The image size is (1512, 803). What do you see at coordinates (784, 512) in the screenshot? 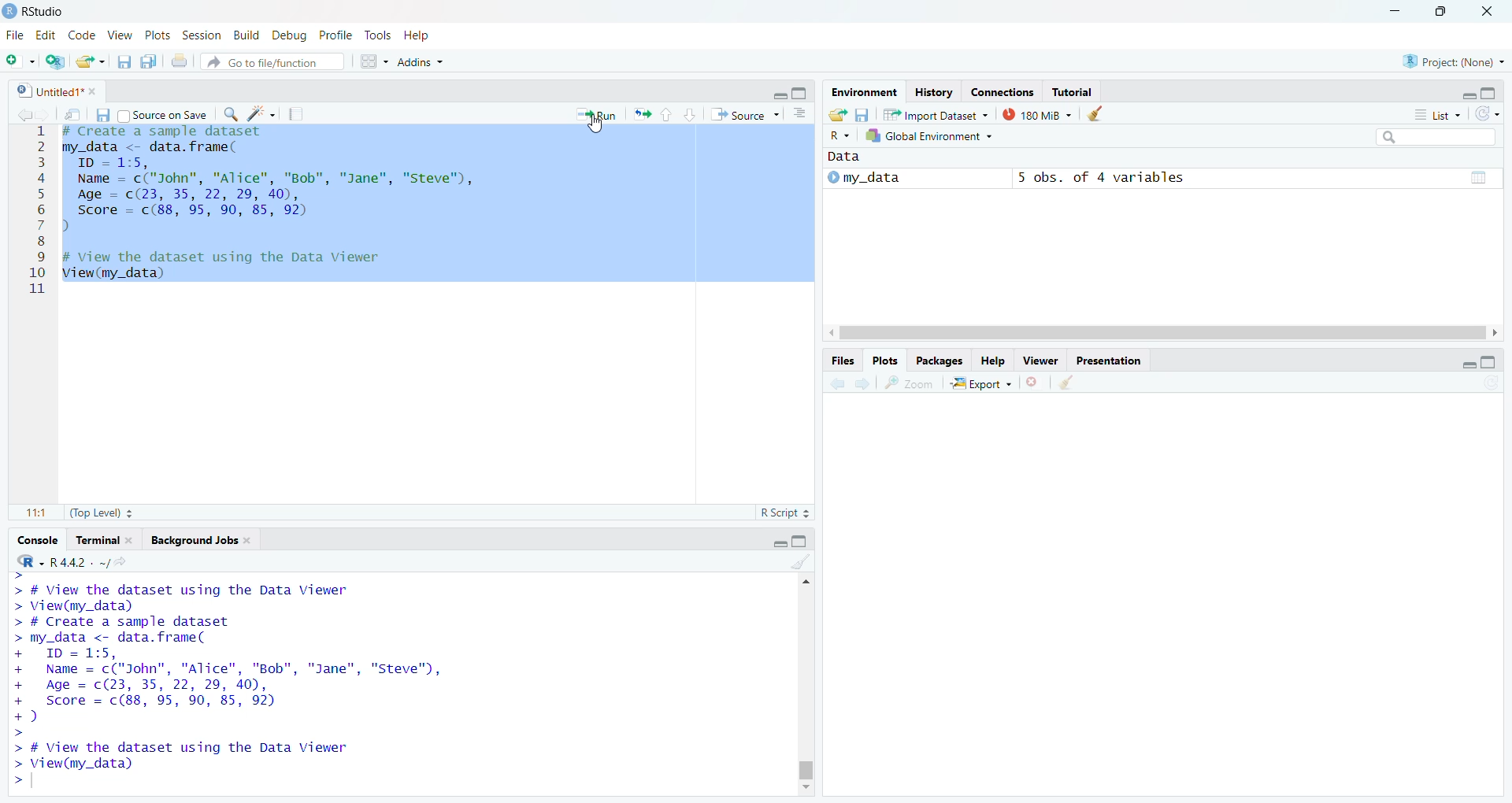
I see `R Script` at bounding box center [784, 512].